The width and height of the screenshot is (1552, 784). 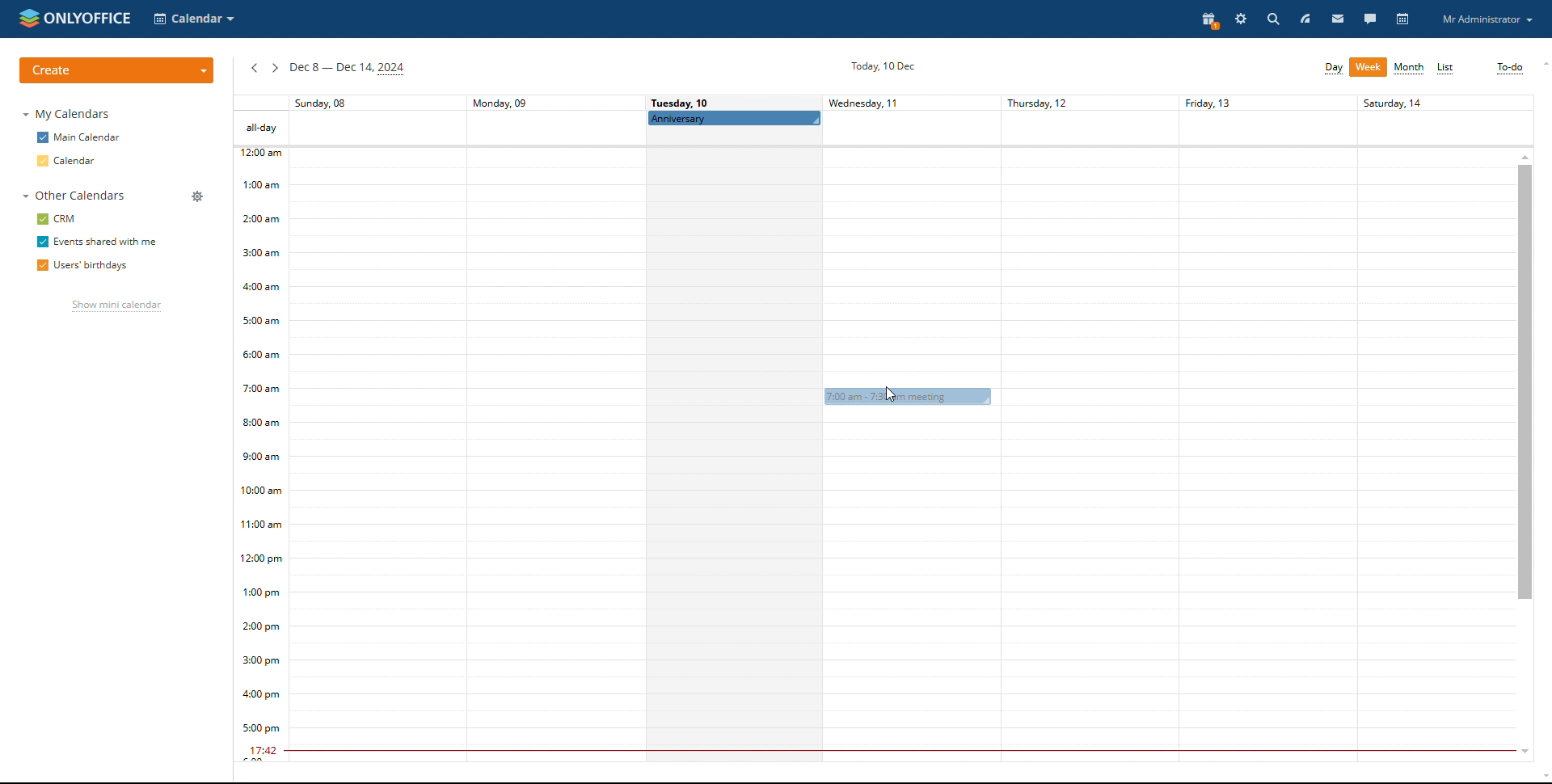 I want to click on events shared with me, so click(x=96, y=242).